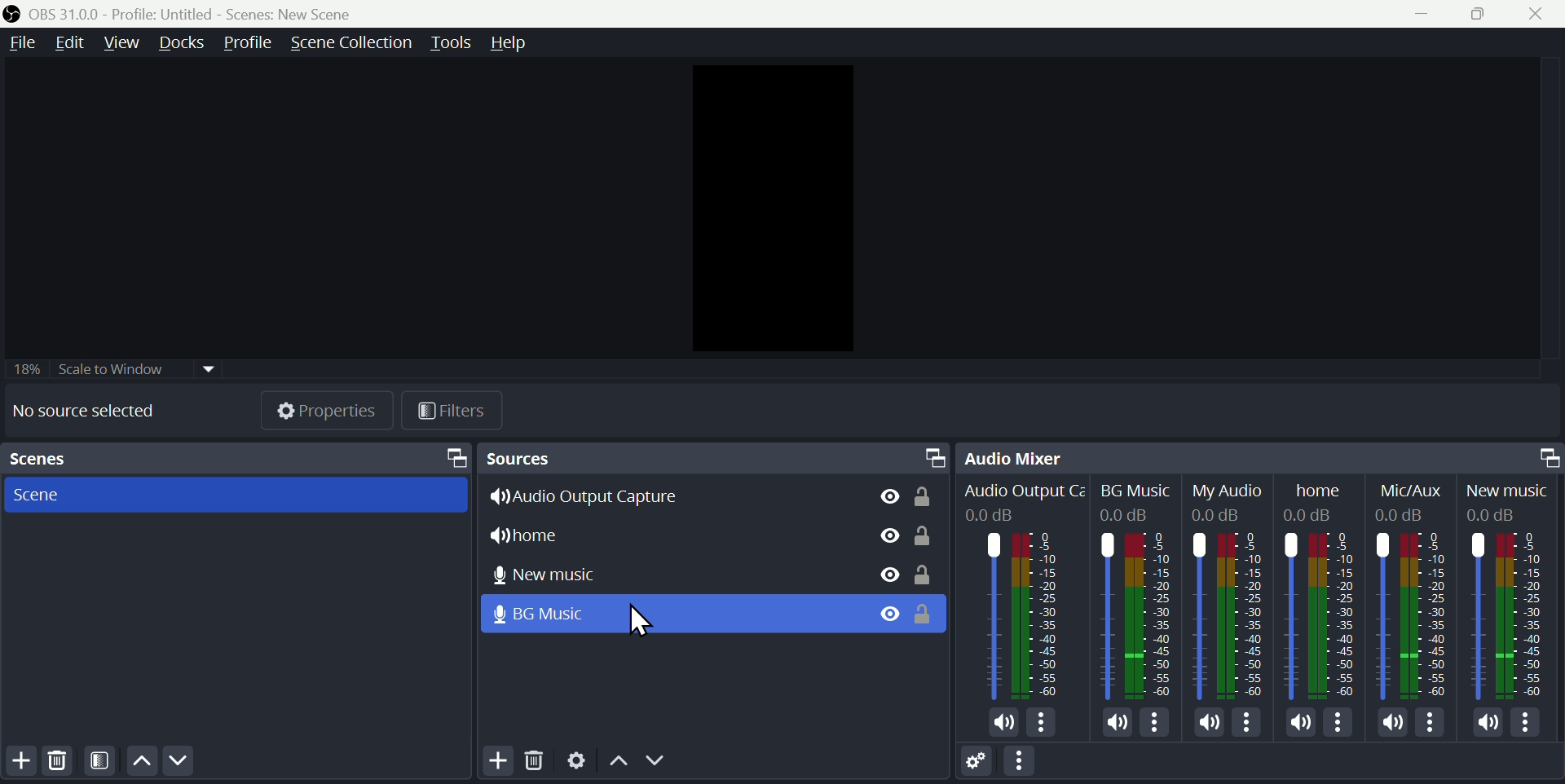 The width and height of the screenshot is (1565, 784). I want to click on More , so click(1028, 764).